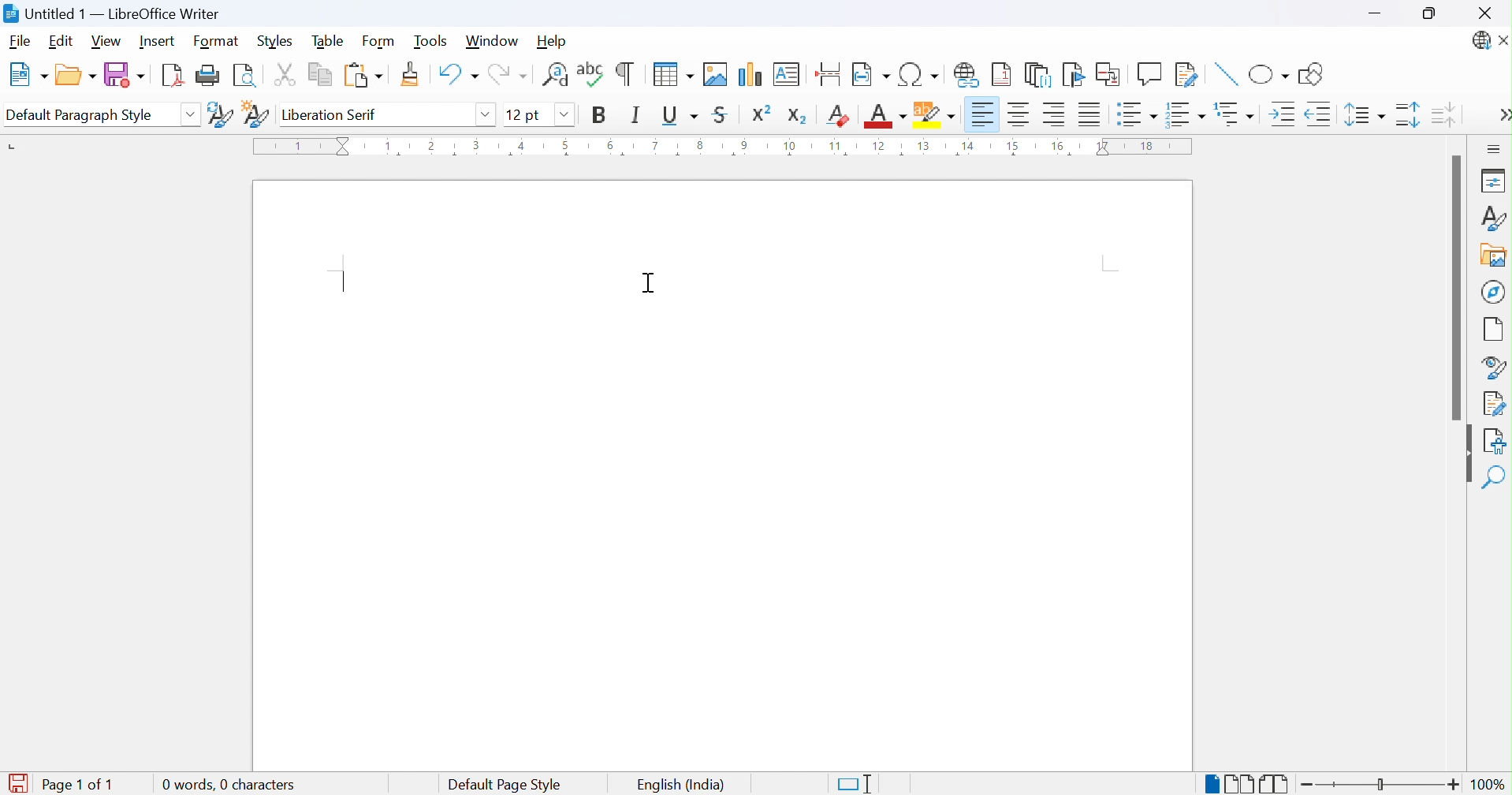 Image resolution: width=1512 pixels, height=795 pixels. Describe the element at coordinates (1187, 76) in the screenshot. I see `Show track changes functions` at that location.